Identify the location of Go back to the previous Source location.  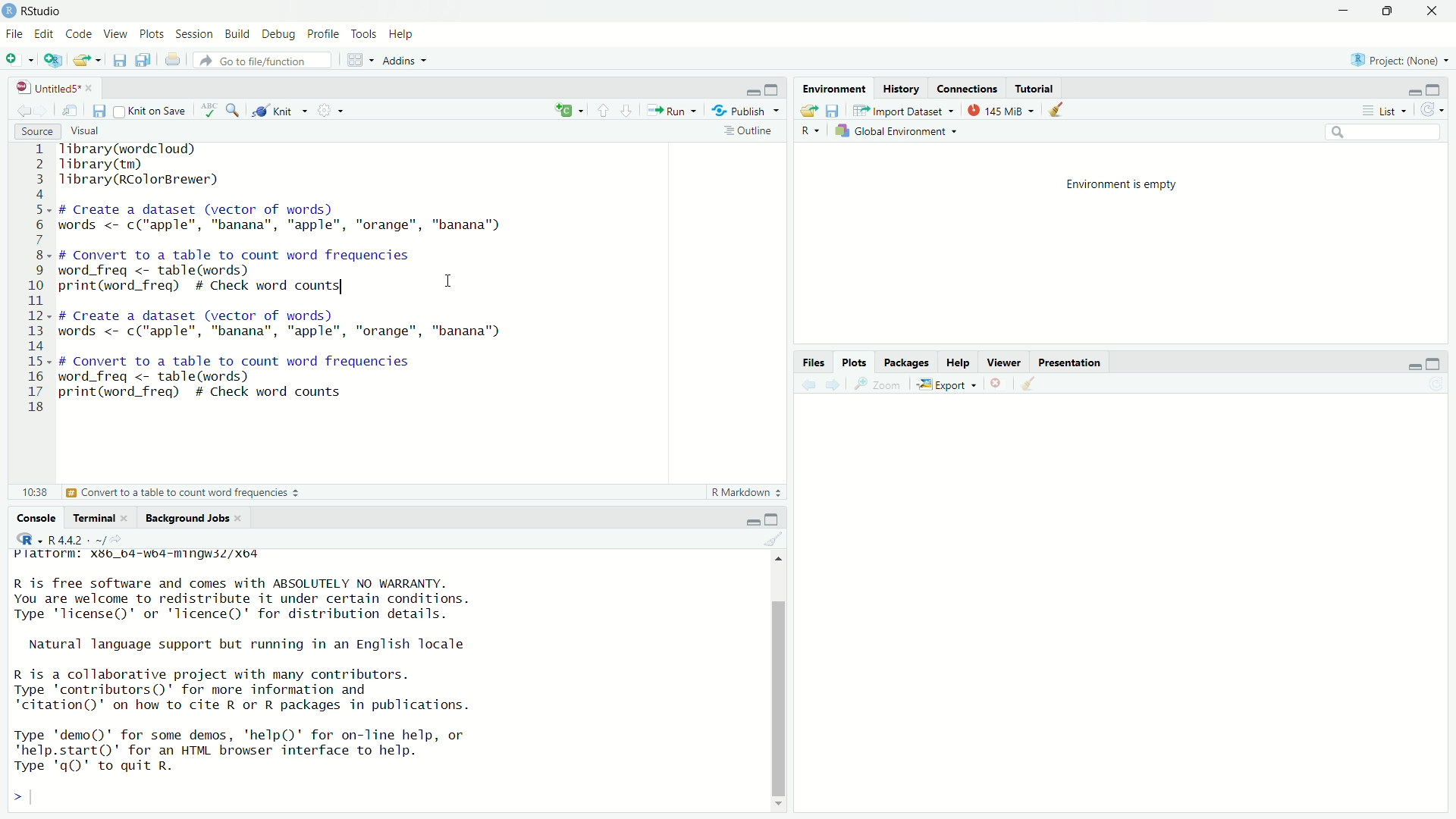
(23, 111).